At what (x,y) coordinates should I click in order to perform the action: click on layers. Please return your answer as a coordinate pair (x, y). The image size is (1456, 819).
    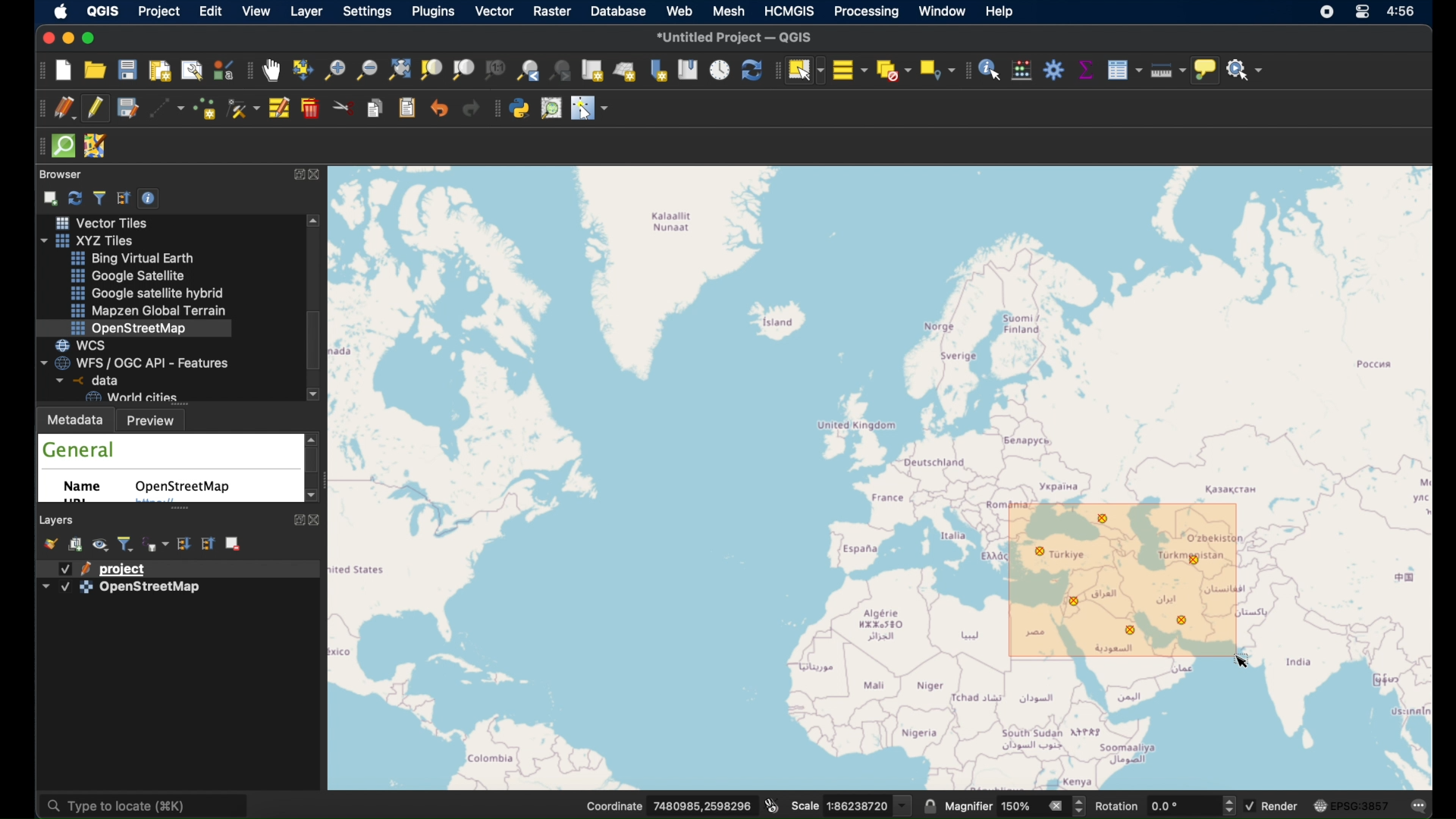
    Looking at the image, I should click on (58, 519).